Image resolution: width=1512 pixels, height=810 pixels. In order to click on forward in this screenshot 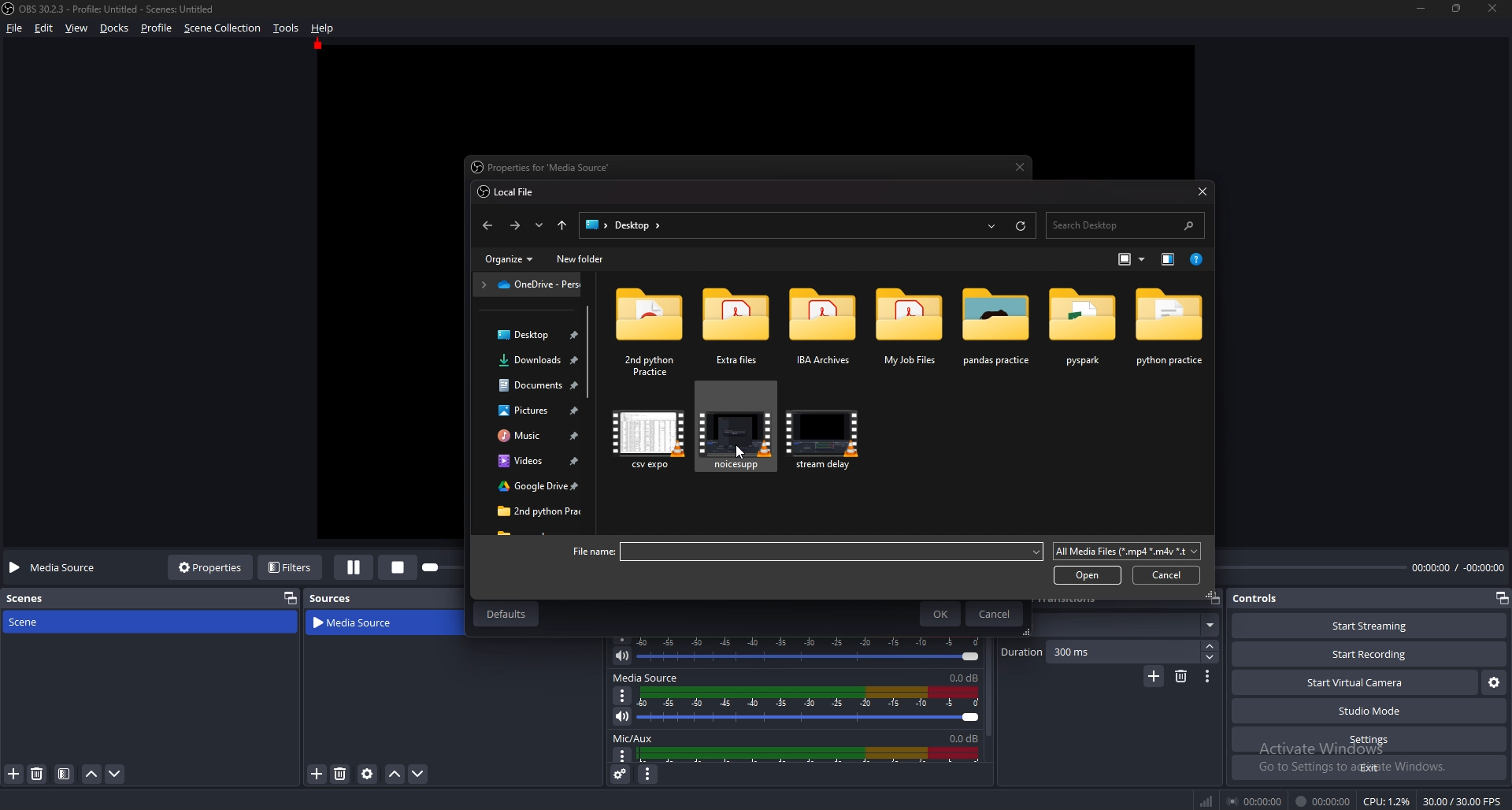, I will do `click(517, 225)`.